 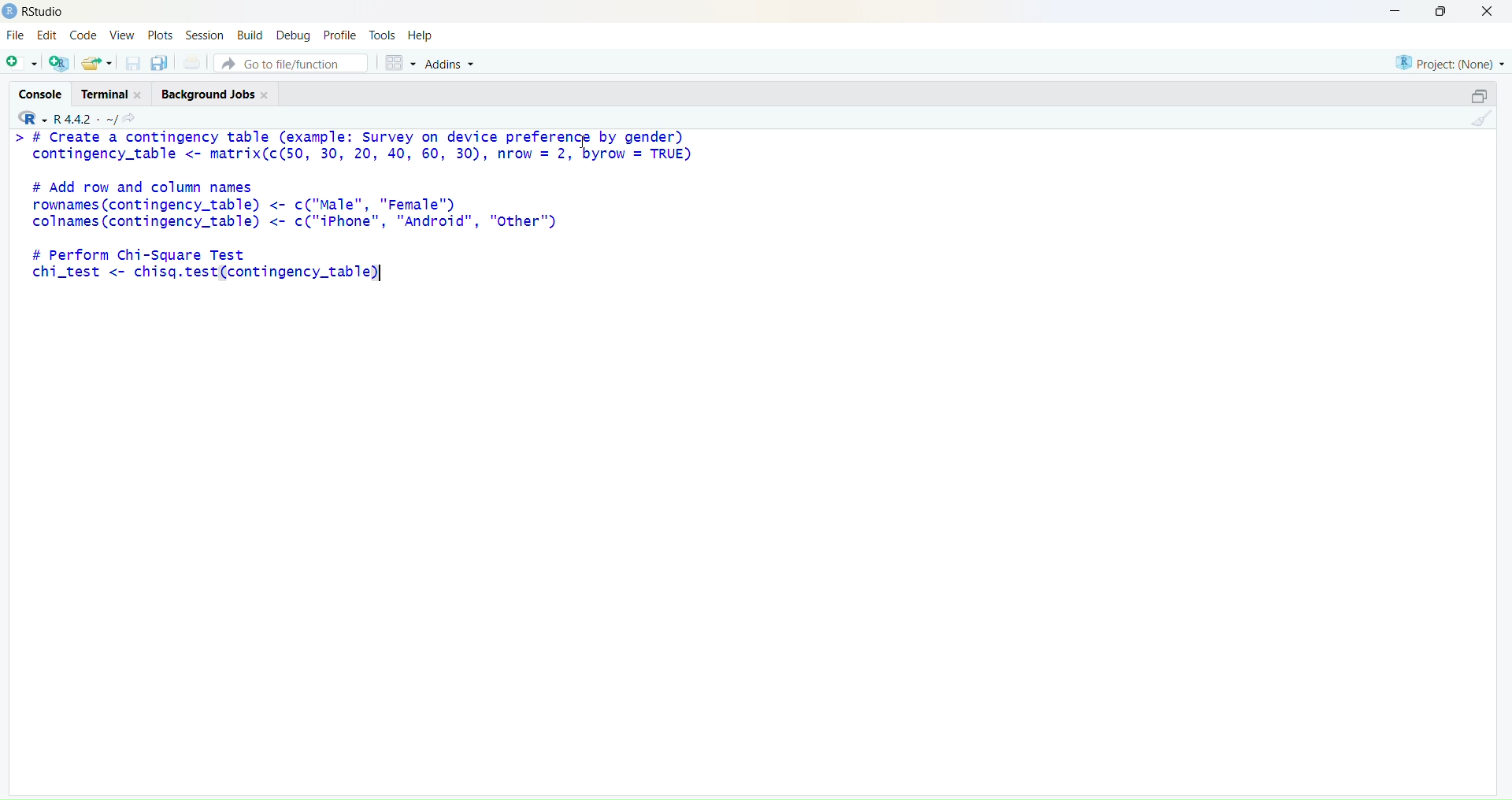 I want to click on open in a pop window, so click(x=1478, y=96).